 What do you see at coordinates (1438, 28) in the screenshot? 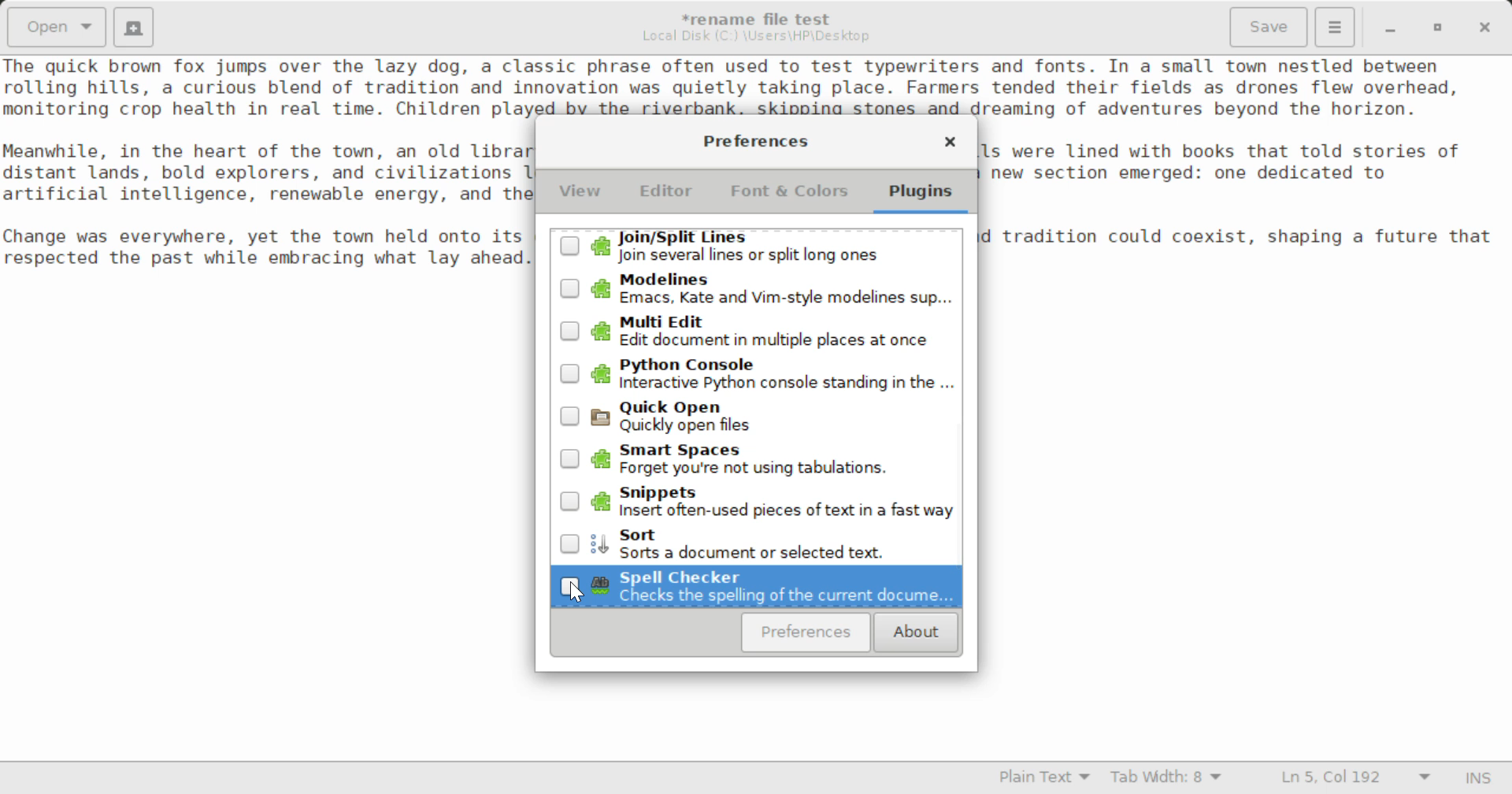
I see `Minimize` at bounding box center [1438, 28].